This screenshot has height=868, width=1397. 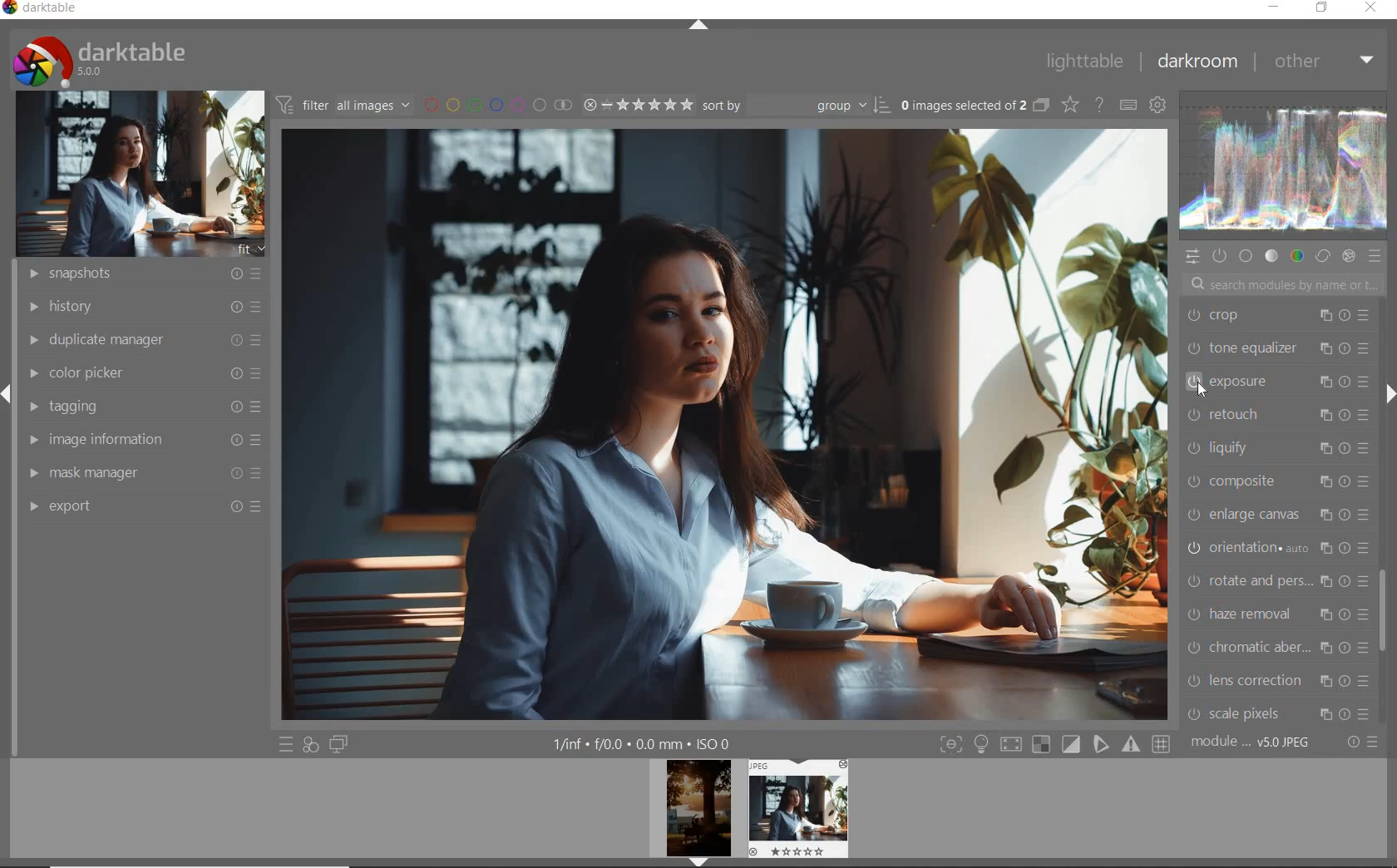 What do you see at coordinates (1040, 106) in the screenshot?
I see `COLLAPSE GROUPED IMAGE` at bounding box center [1040, 106].